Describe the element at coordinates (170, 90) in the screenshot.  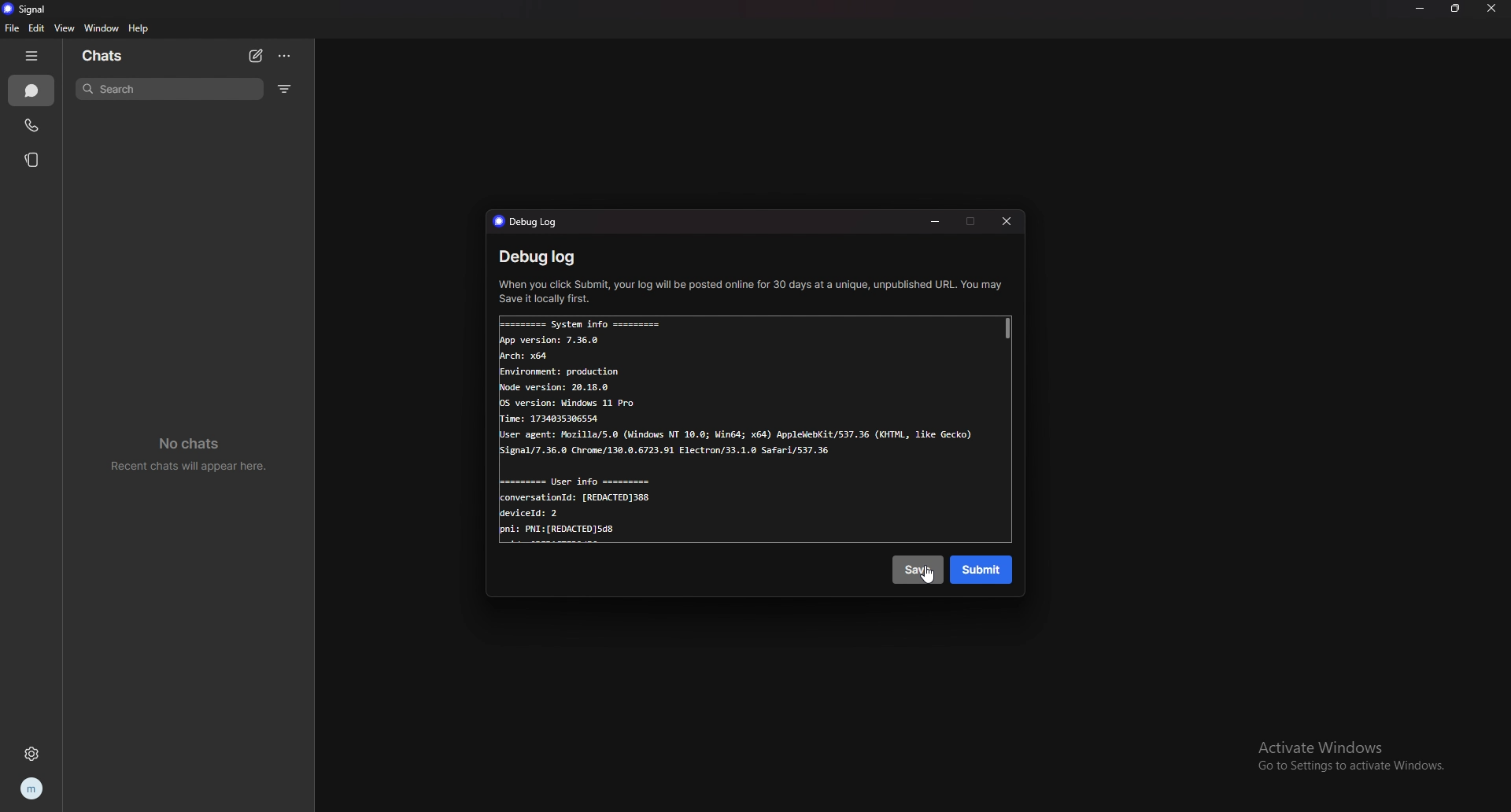
I see `search` at that location.